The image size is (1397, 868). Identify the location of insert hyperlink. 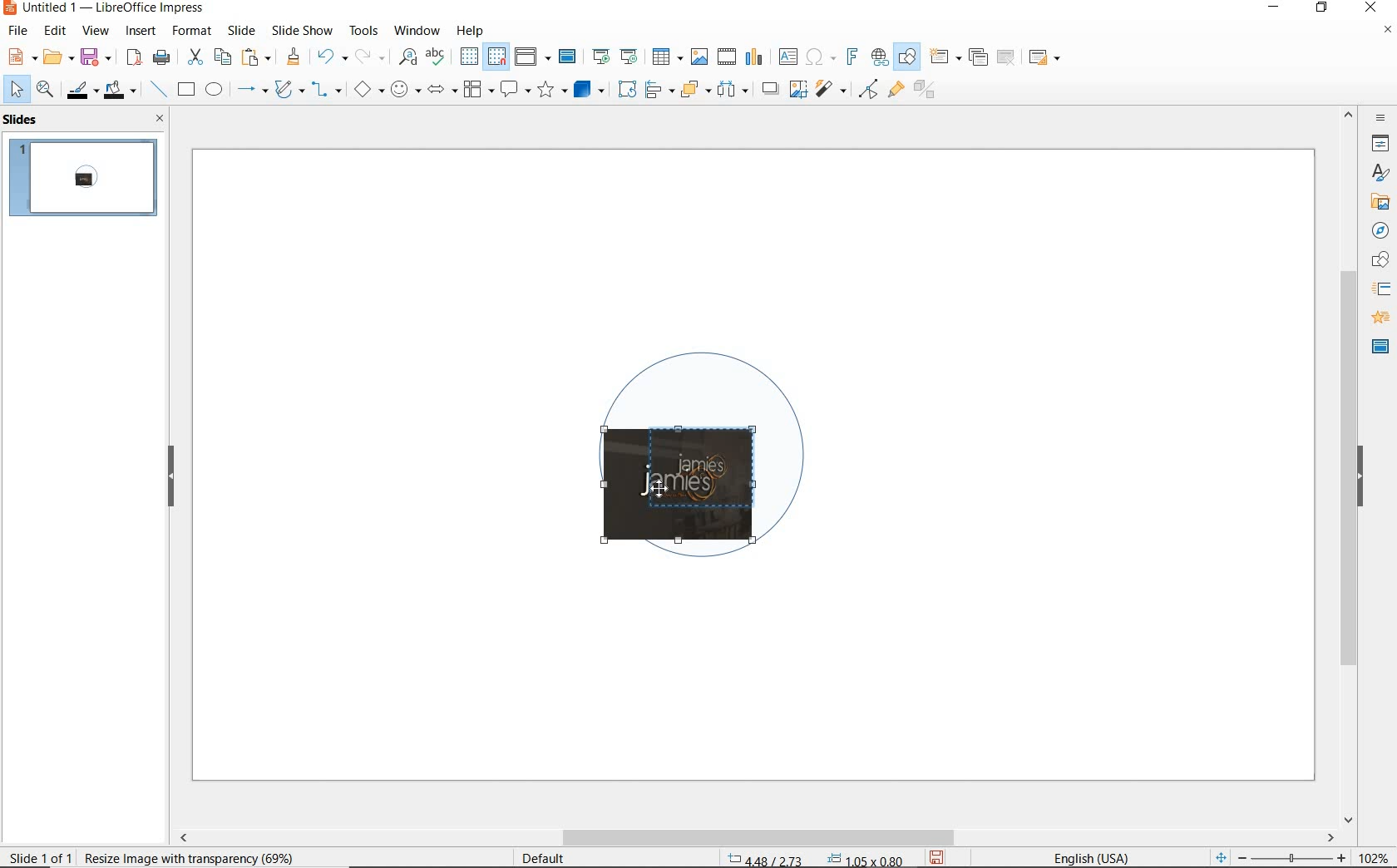
(880, 57).